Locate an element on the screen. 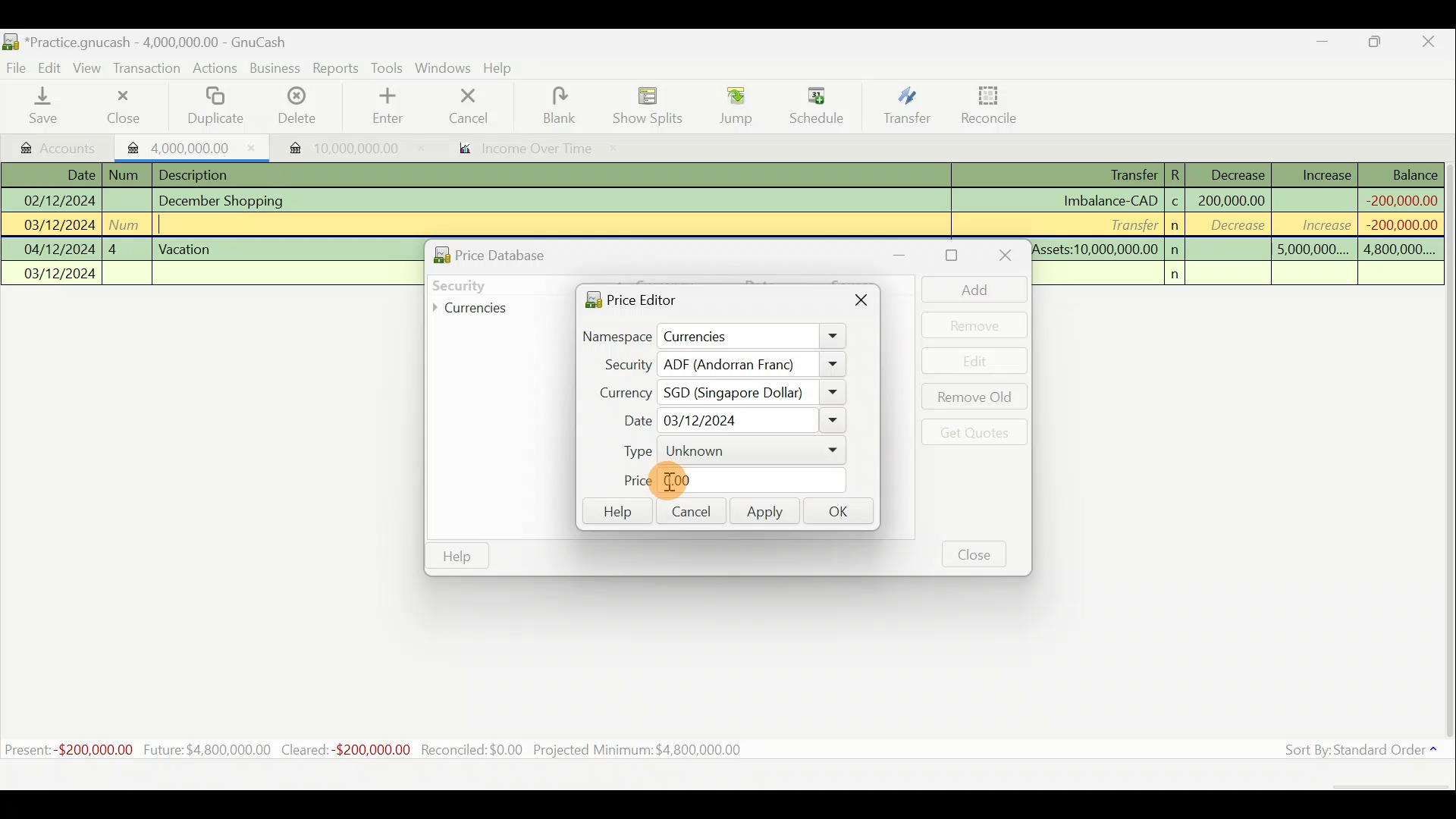 The height and width of the screenshot is (819, 1456). Transfer is located at coordinates (904, 108).